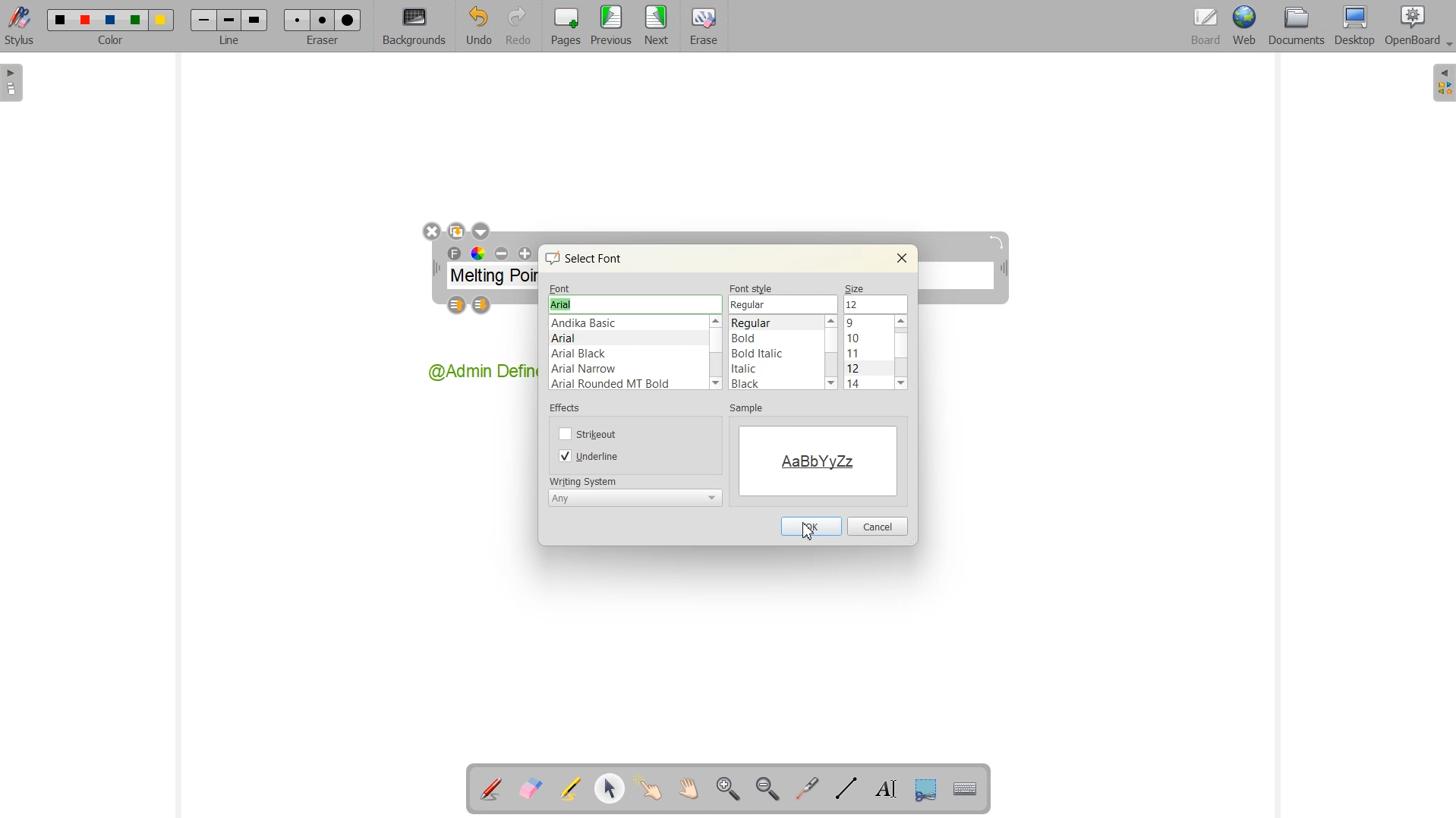 Image resolution: width=1456 pixels, height=818 pixels. What do you see at coordinates (455, 254) in the screenshot?
I see `Font Text ` at bounding box center [455, 254].